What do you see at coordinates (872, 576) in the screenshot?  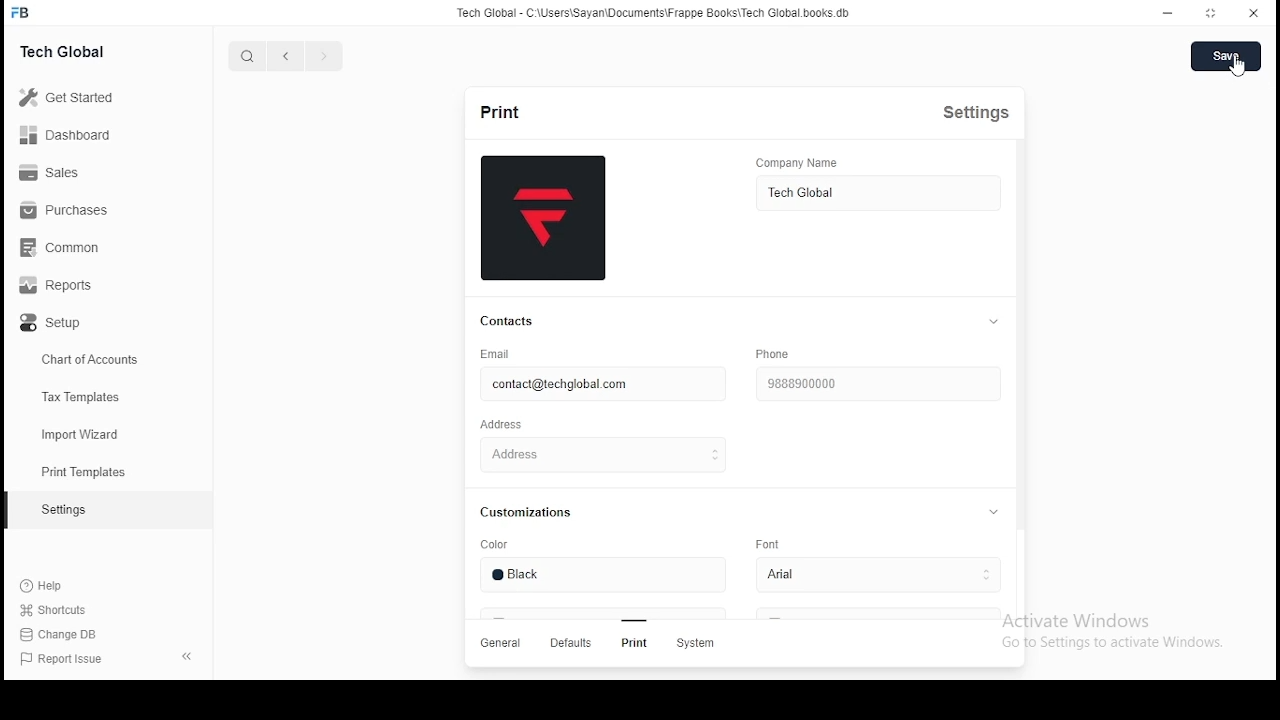 I see `select font ` at bounding box center [872, 576].